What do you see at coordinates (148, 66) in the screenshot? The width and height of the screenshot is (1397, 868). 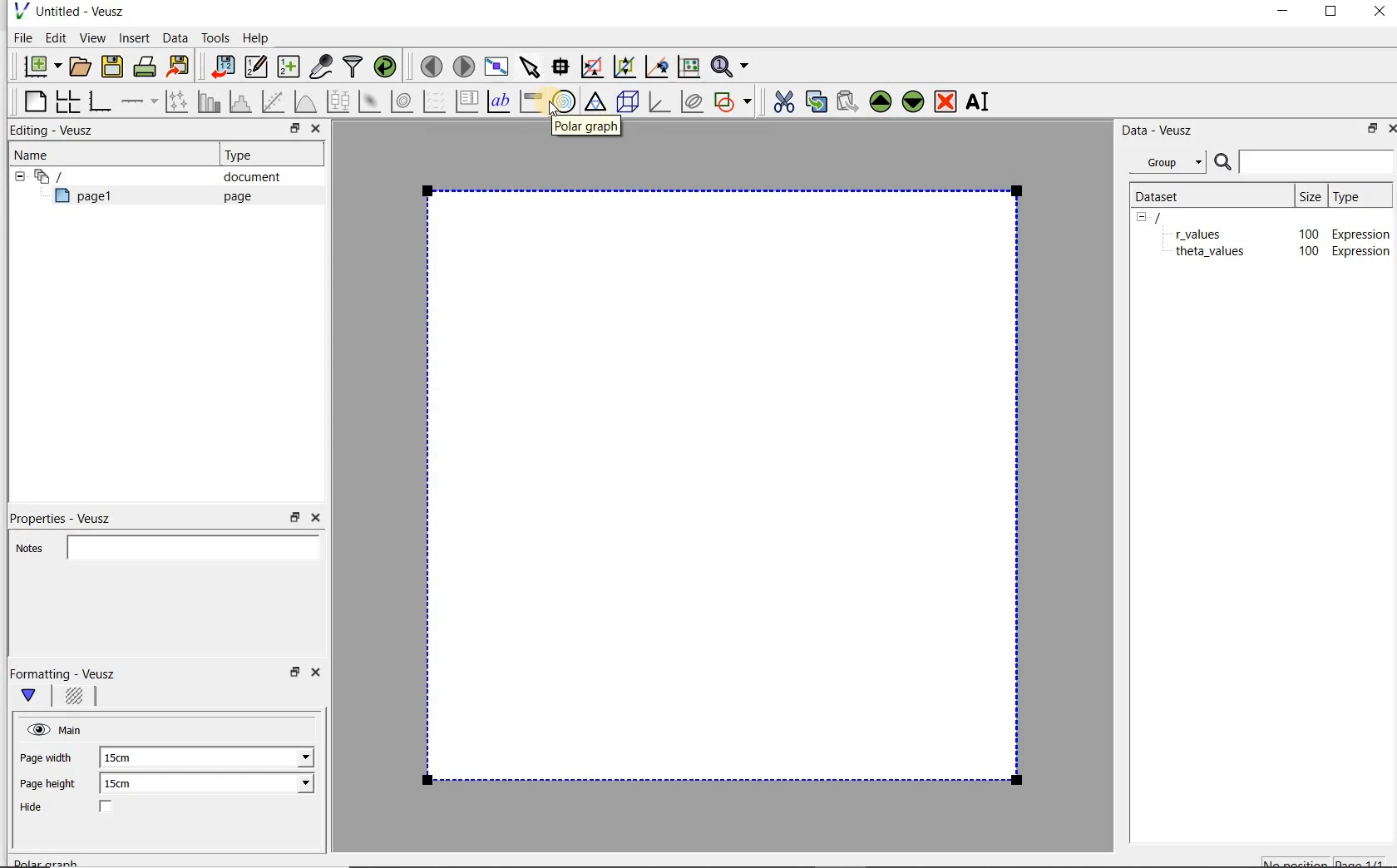 I see `print the document` at bounding box center [148, 66].